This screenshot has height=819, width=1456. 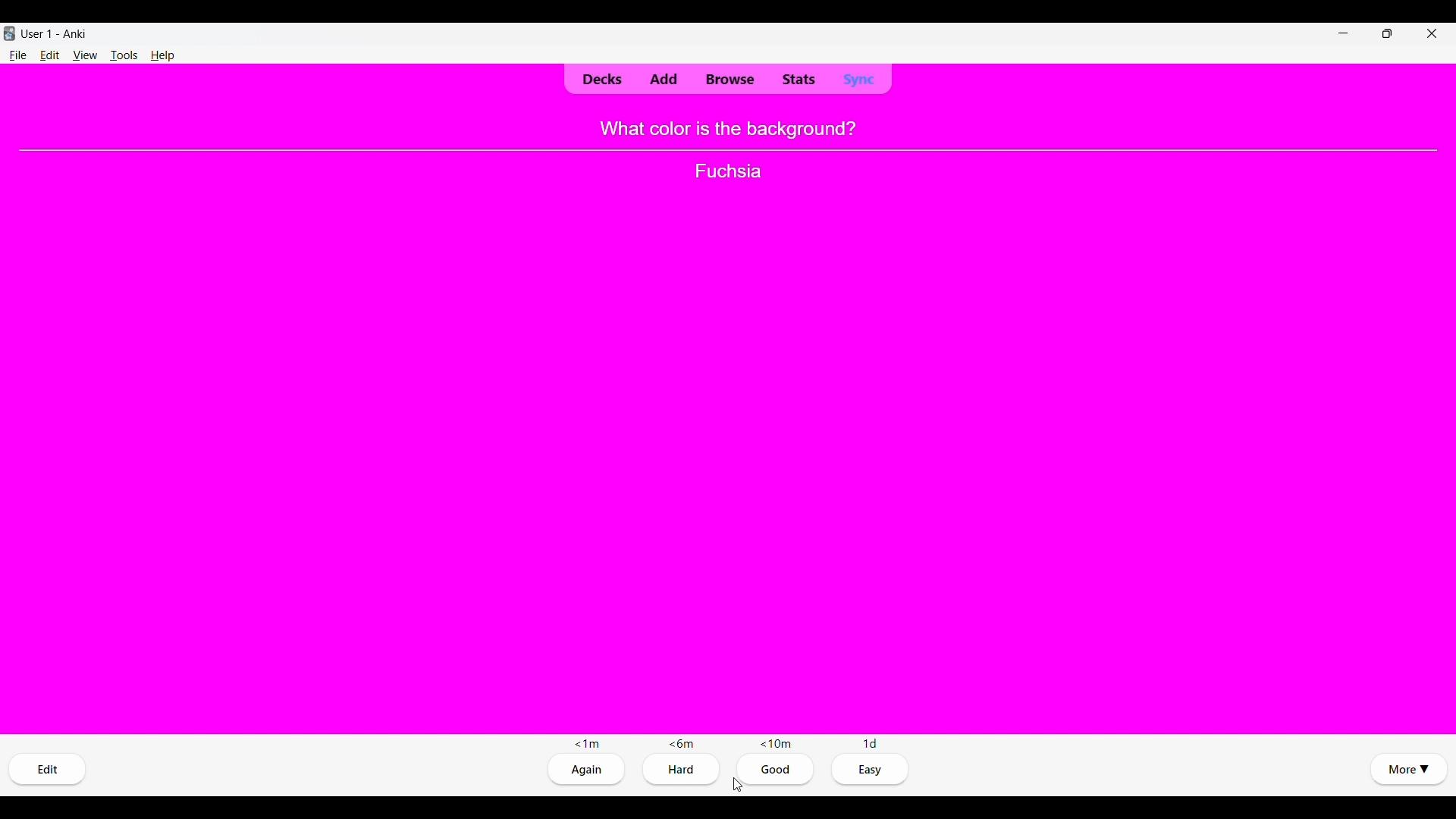 What do you see at coordinates (54, 33) in the screenshot?
I see `User and software name` at bounding box center [54, 33].